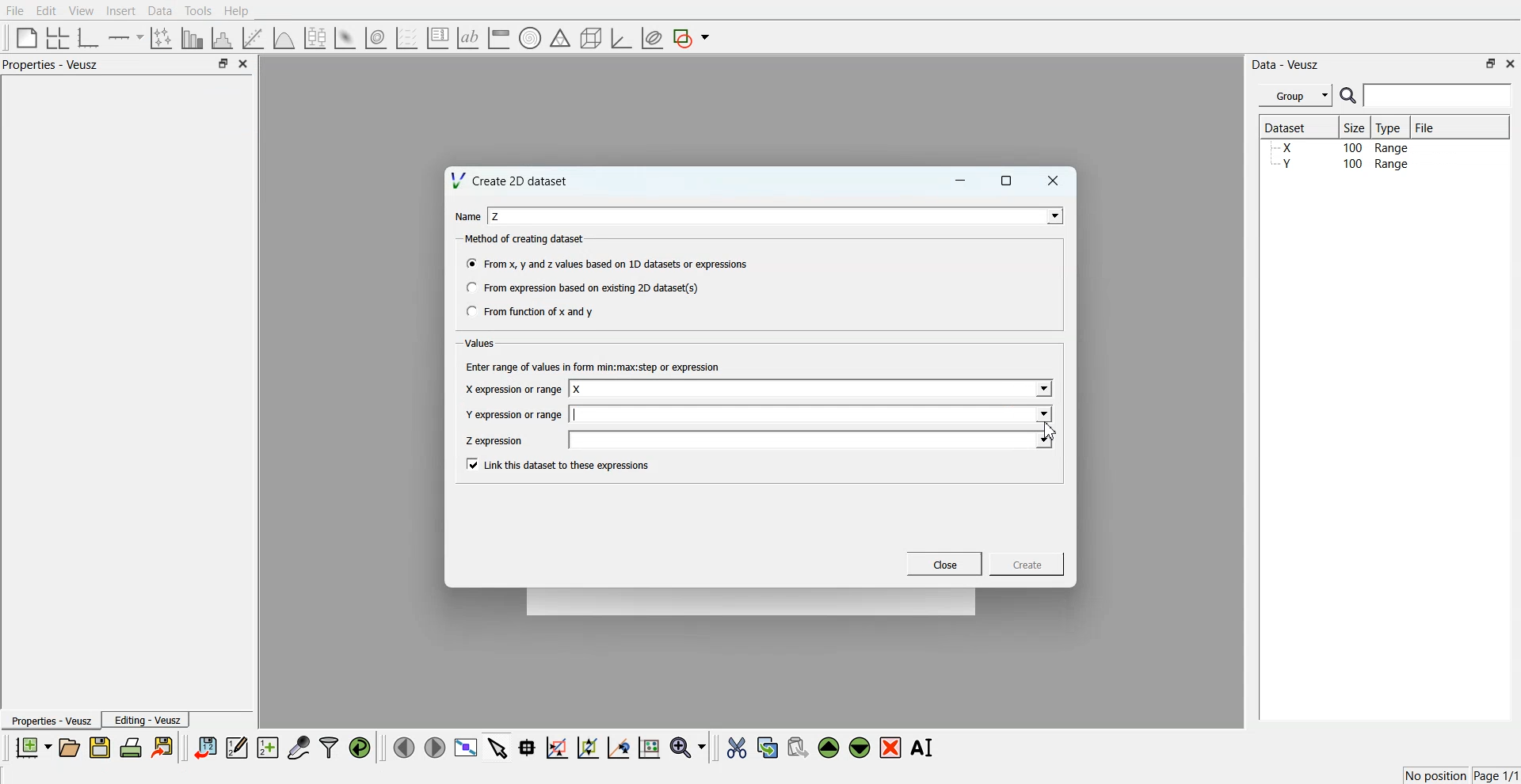 The width and height of the screenshot is (1521, 784). I want to click on Enter name, so click(813, 413).